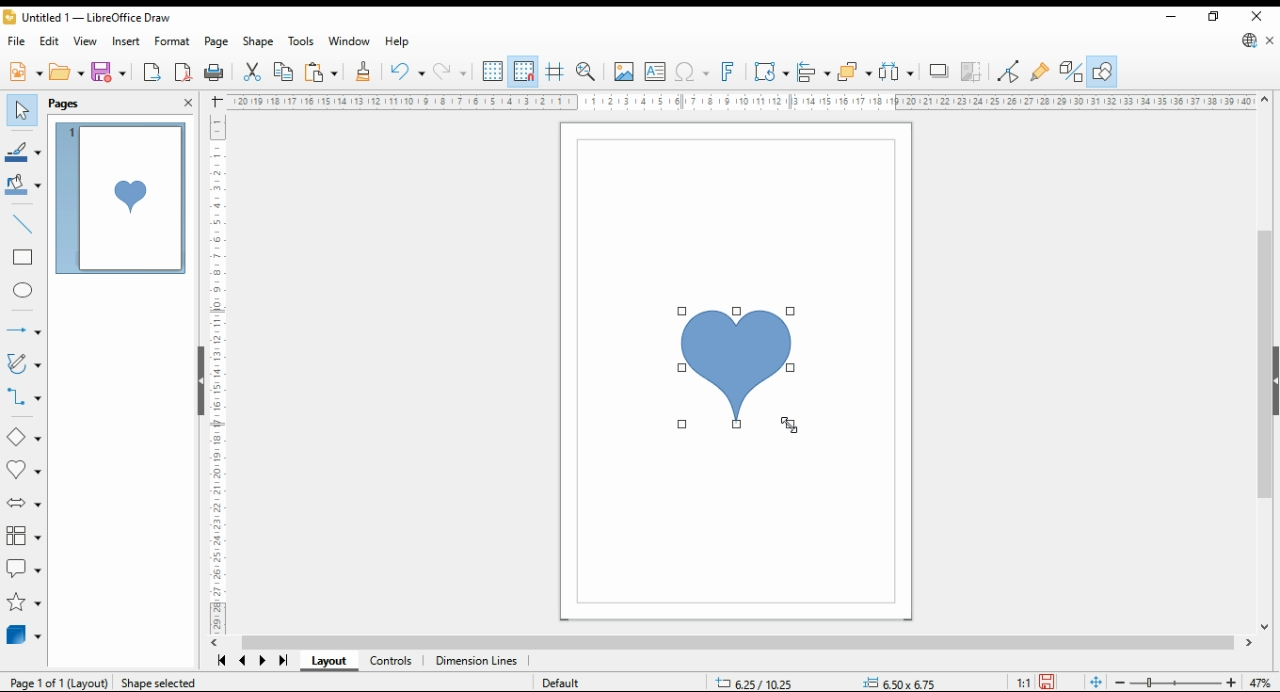 This screenshot has width=1280, height=692. I want to click on page, so click(217, 43).